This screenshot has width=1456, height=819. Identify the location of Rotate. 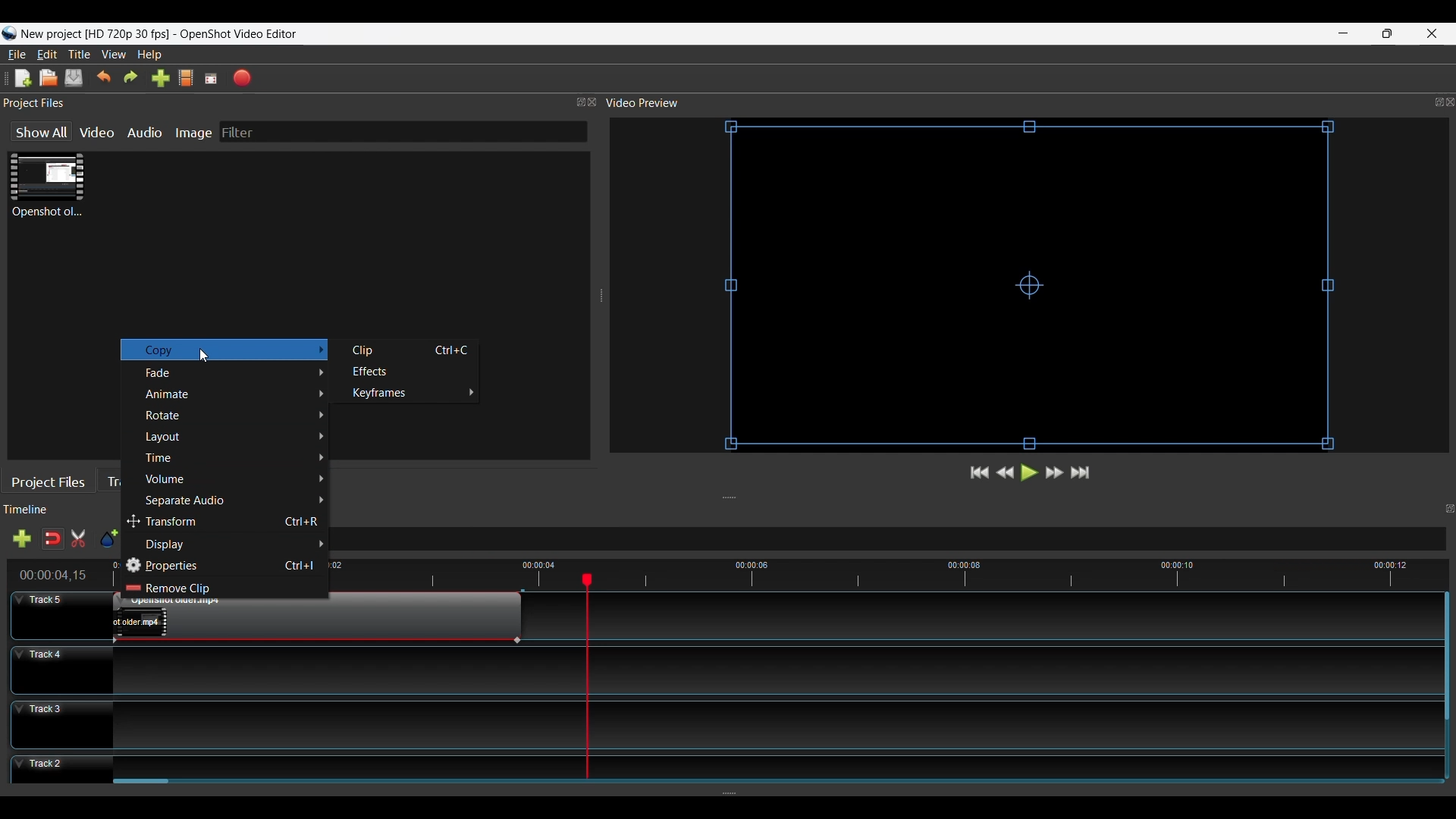
(234, 416).